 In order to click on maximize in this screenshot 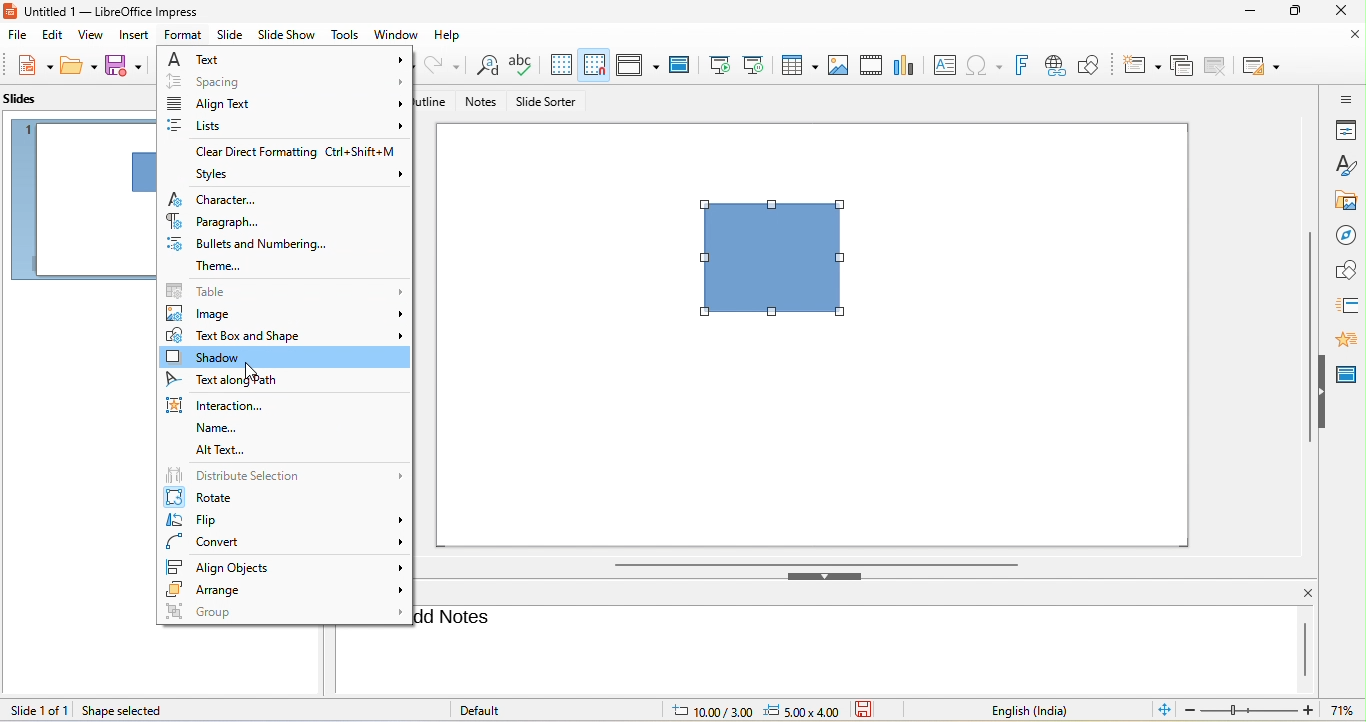, I will do `click(1295, 12)`.